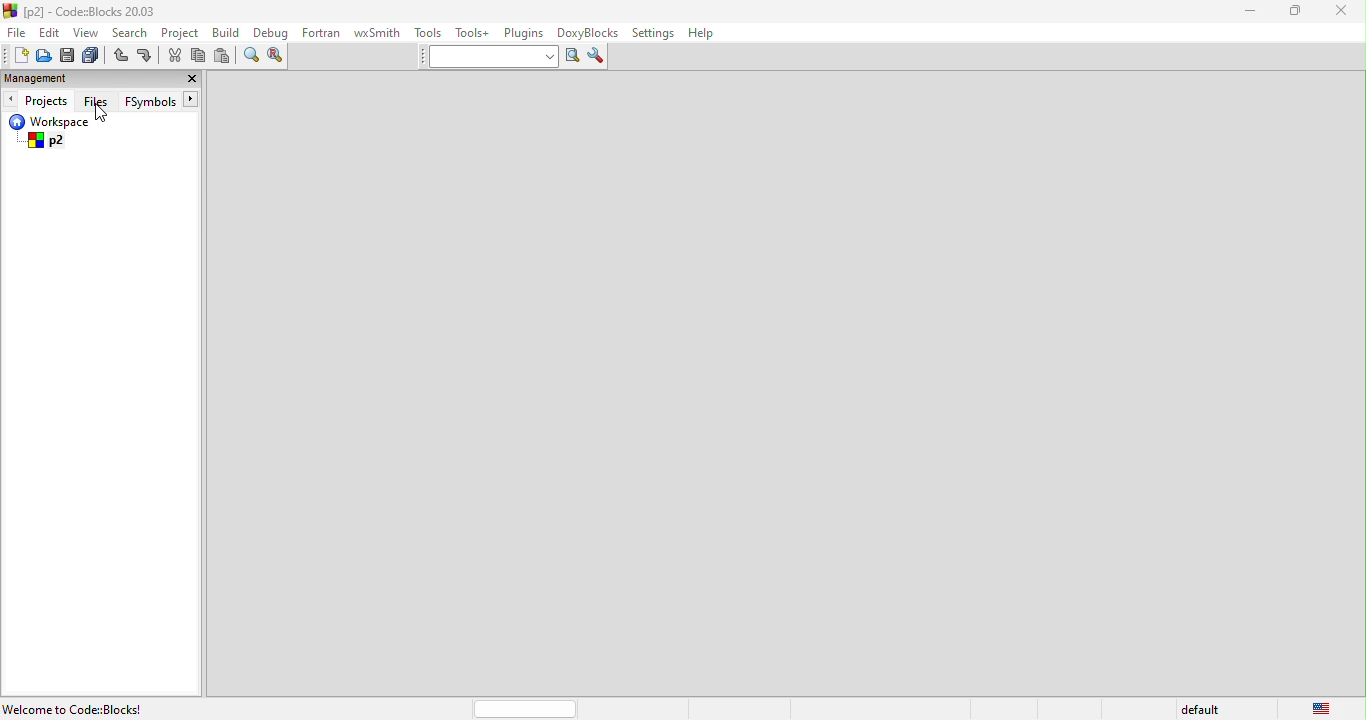 The width and height of the screenshot is (1366, 720). What do you see at coordinates (120, 55) in the screenshot?
I see `undo` at bounding box center [120, 55].